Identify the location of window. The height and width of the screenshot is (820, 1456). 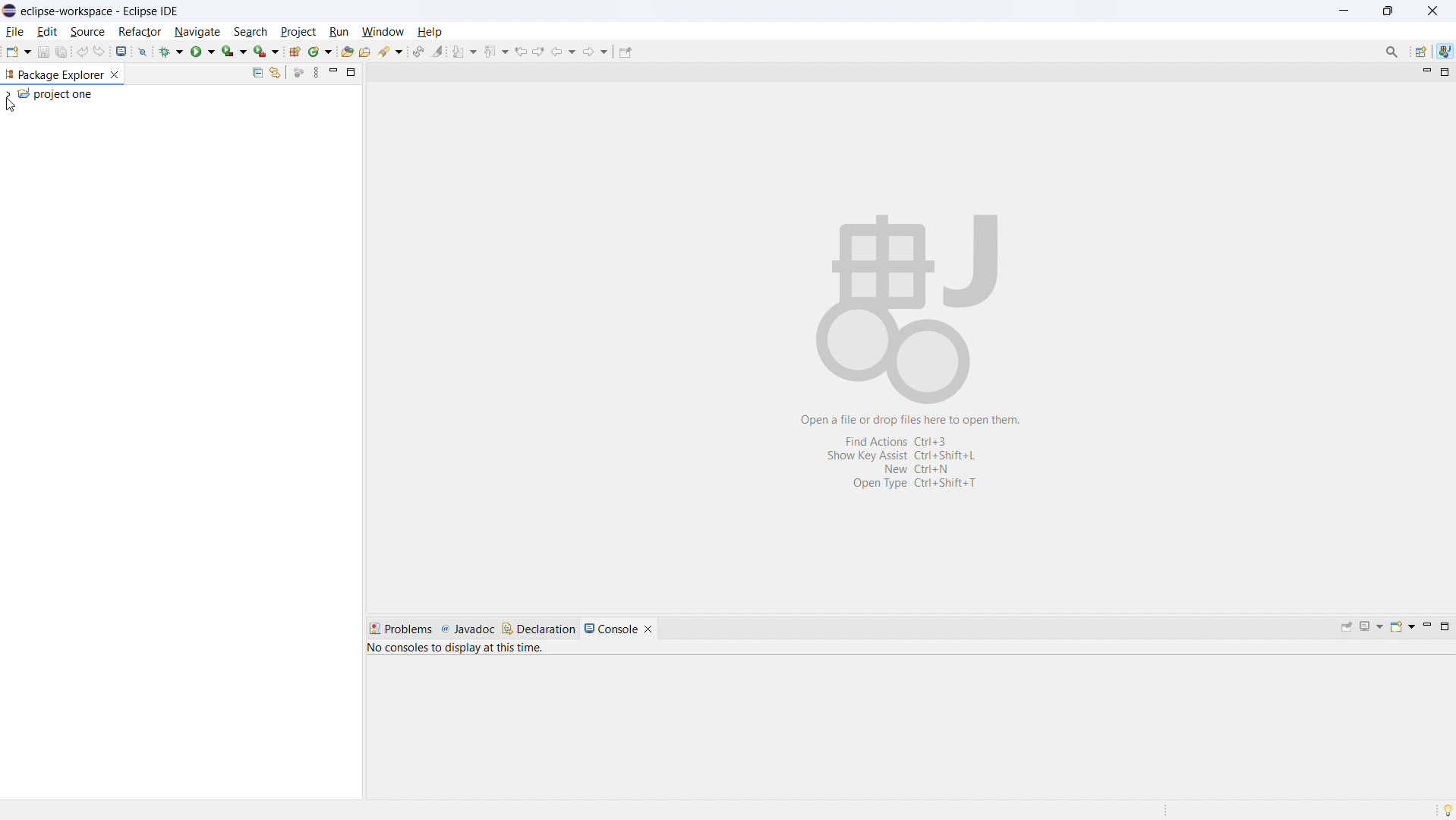
(380, 31).